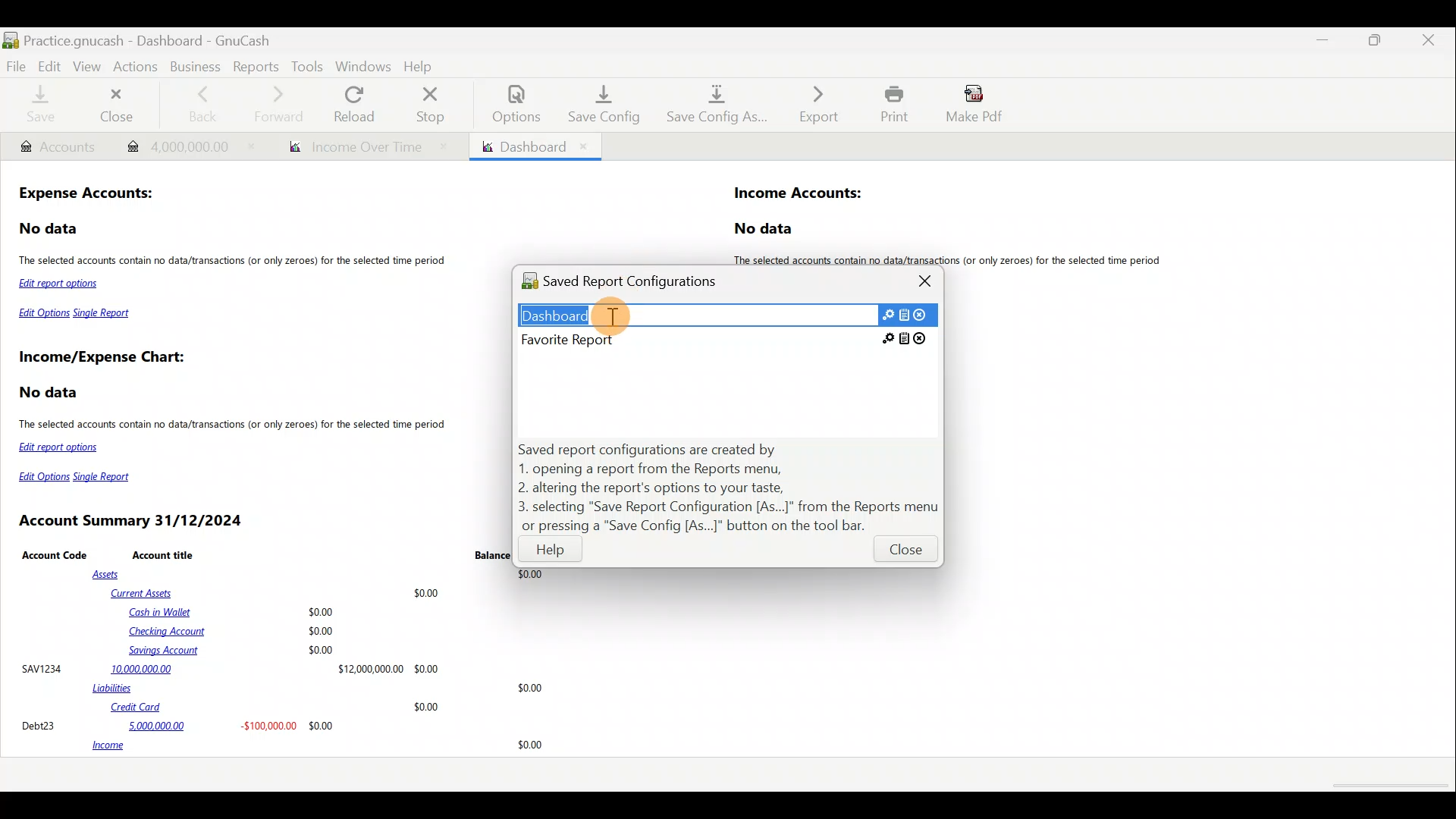  What do you see at coordinates (49, 65) in the screenshot?
I see `Edit` at bounding box center [49, 65].